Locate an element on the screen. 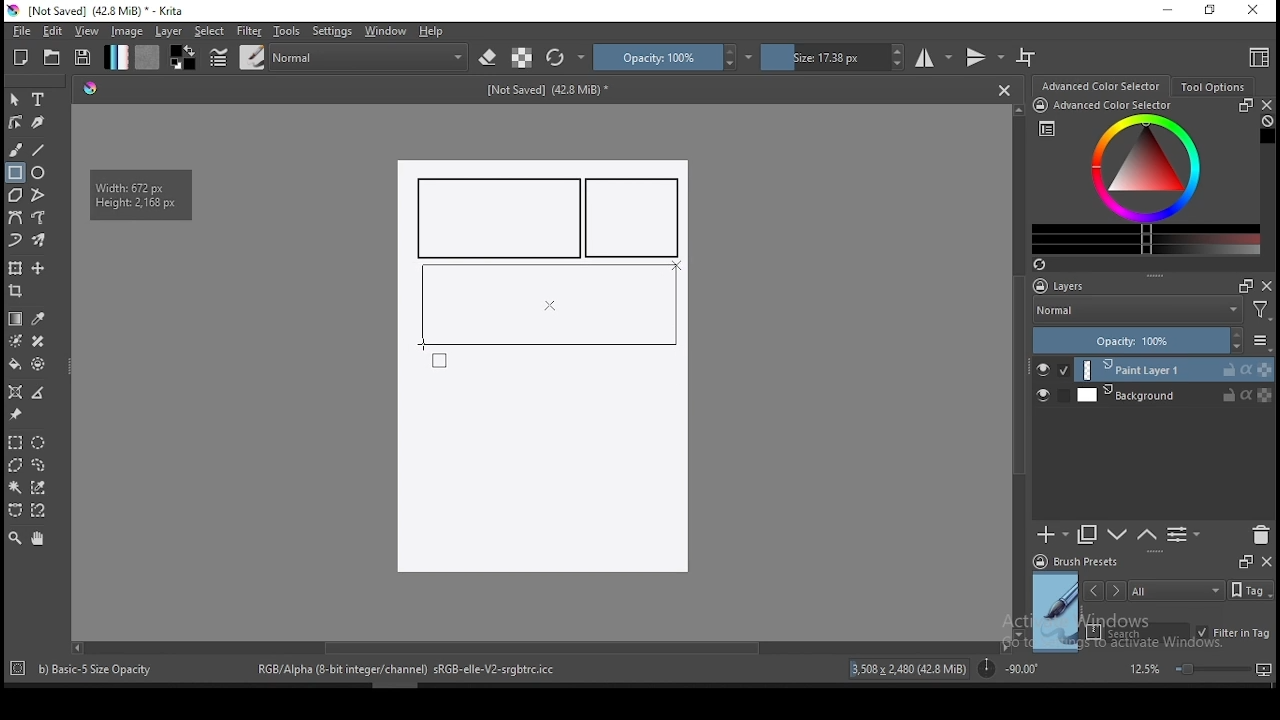 Image resolution: width=1280 pixels, height=720 pixels. Close is located at coordinates (1004, 89).